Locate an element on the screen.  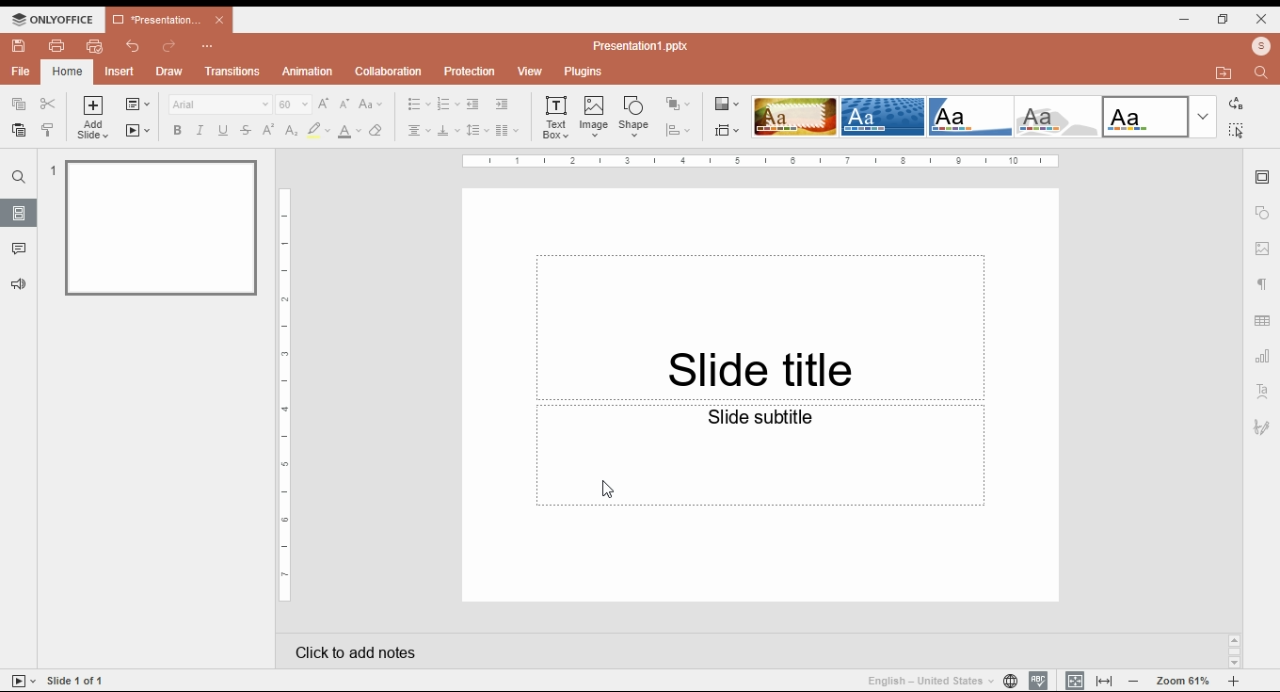
slide them option is located at coordinates (795, 116).